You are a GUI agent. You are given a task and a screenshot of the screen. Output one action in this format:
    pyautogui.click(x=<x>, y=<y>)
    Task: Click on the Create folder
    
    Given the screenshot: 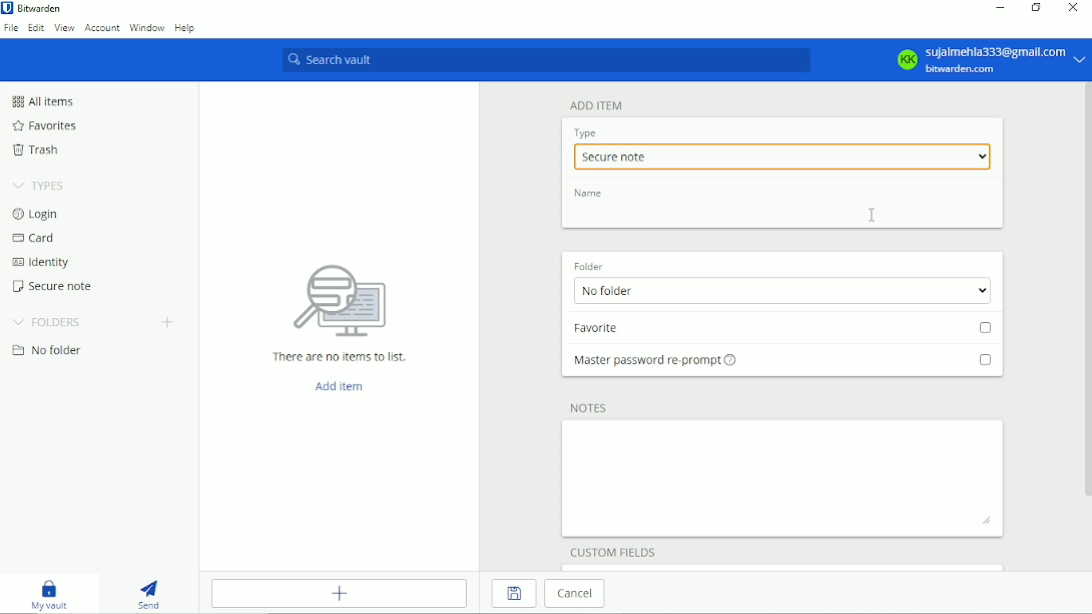 What is the action you would take?
    pyautogui.click(x=167, y=321)
    